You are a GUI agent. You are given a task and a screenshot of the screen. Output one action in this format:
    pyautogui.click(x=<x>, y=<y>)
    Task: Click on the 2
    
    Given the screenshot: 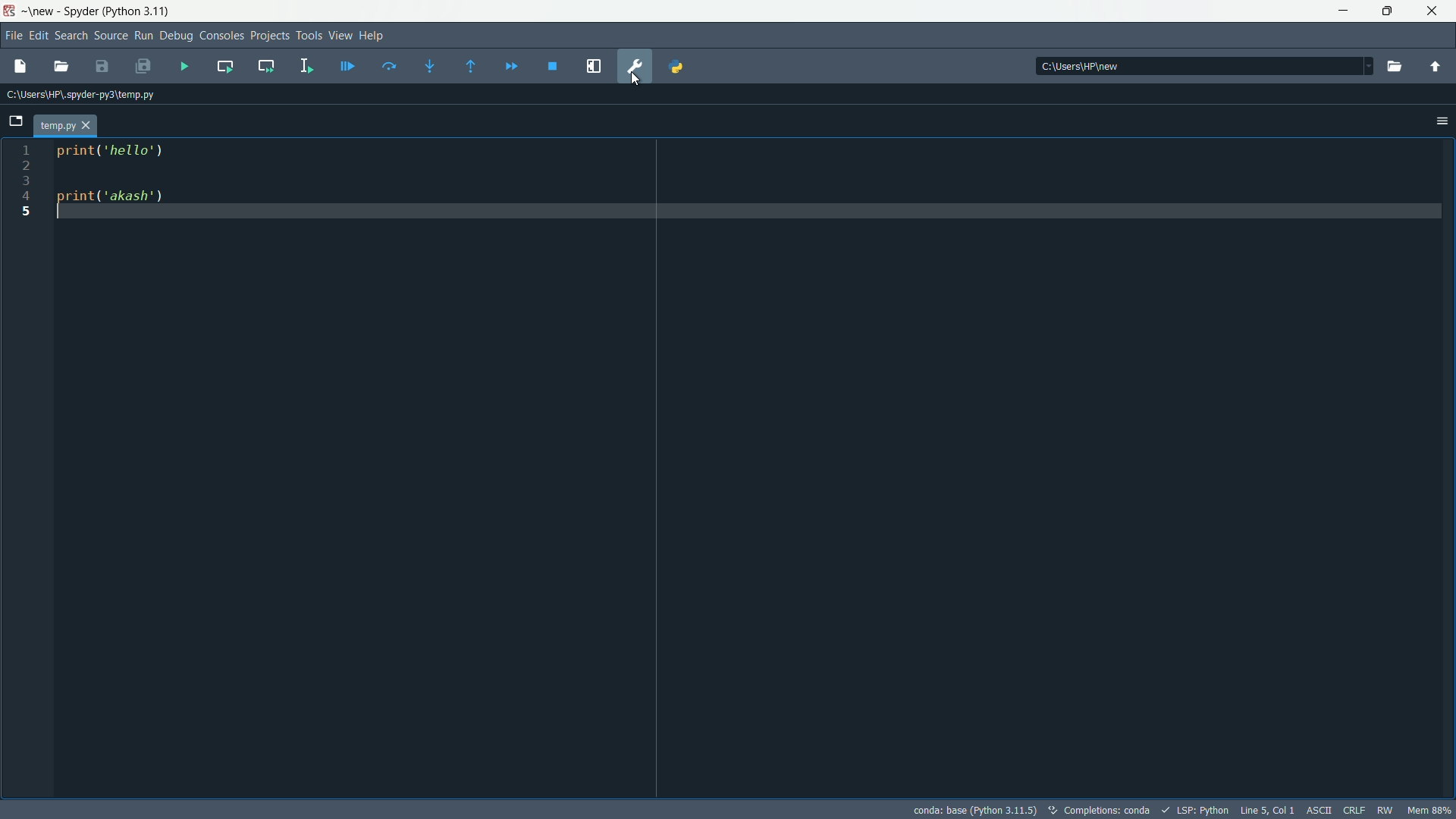 What is the action you would take?
    pyautogui.click(x=25, y=165)
    